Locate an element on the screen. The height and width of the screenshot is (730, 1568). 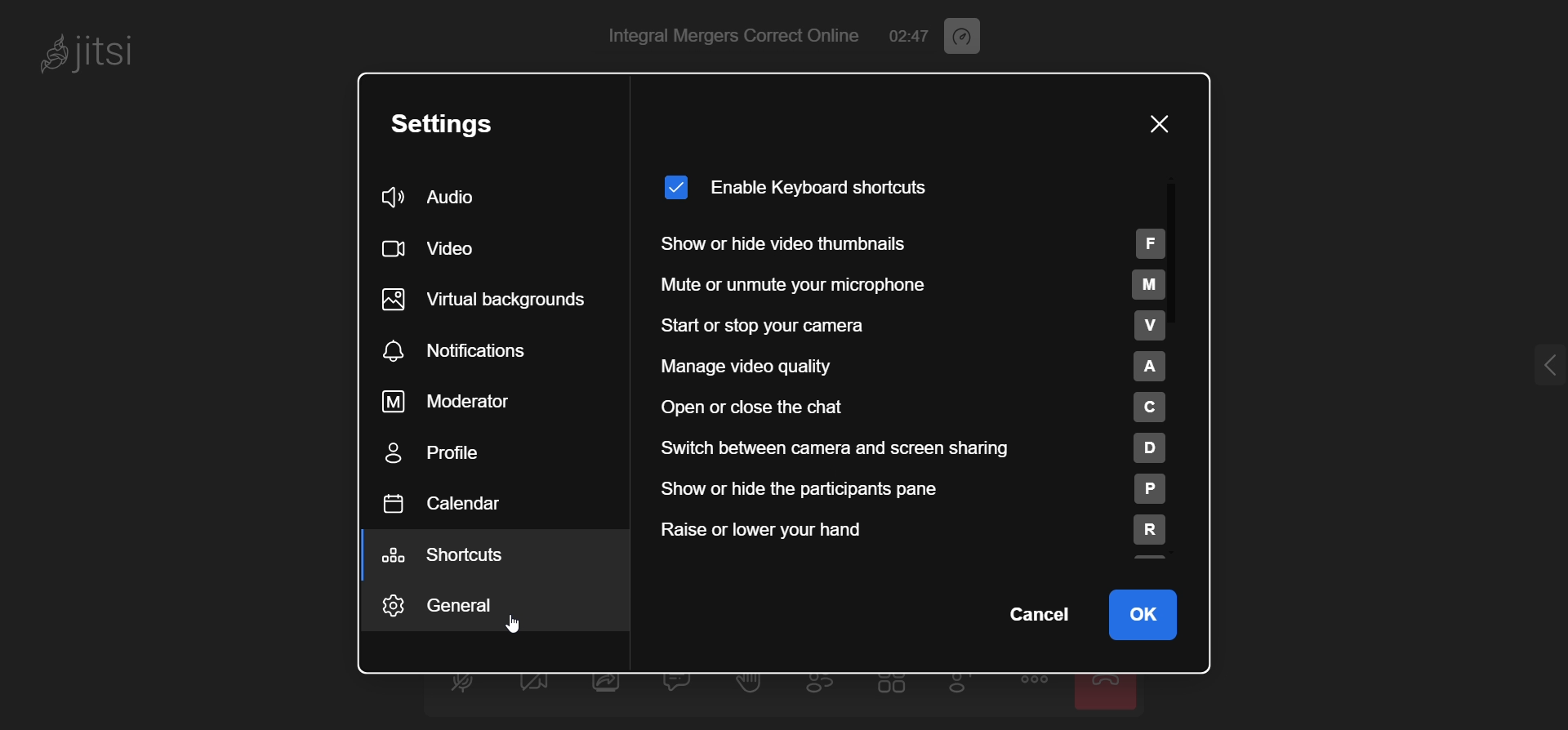
toggle view is located at coordinates (890, 684).